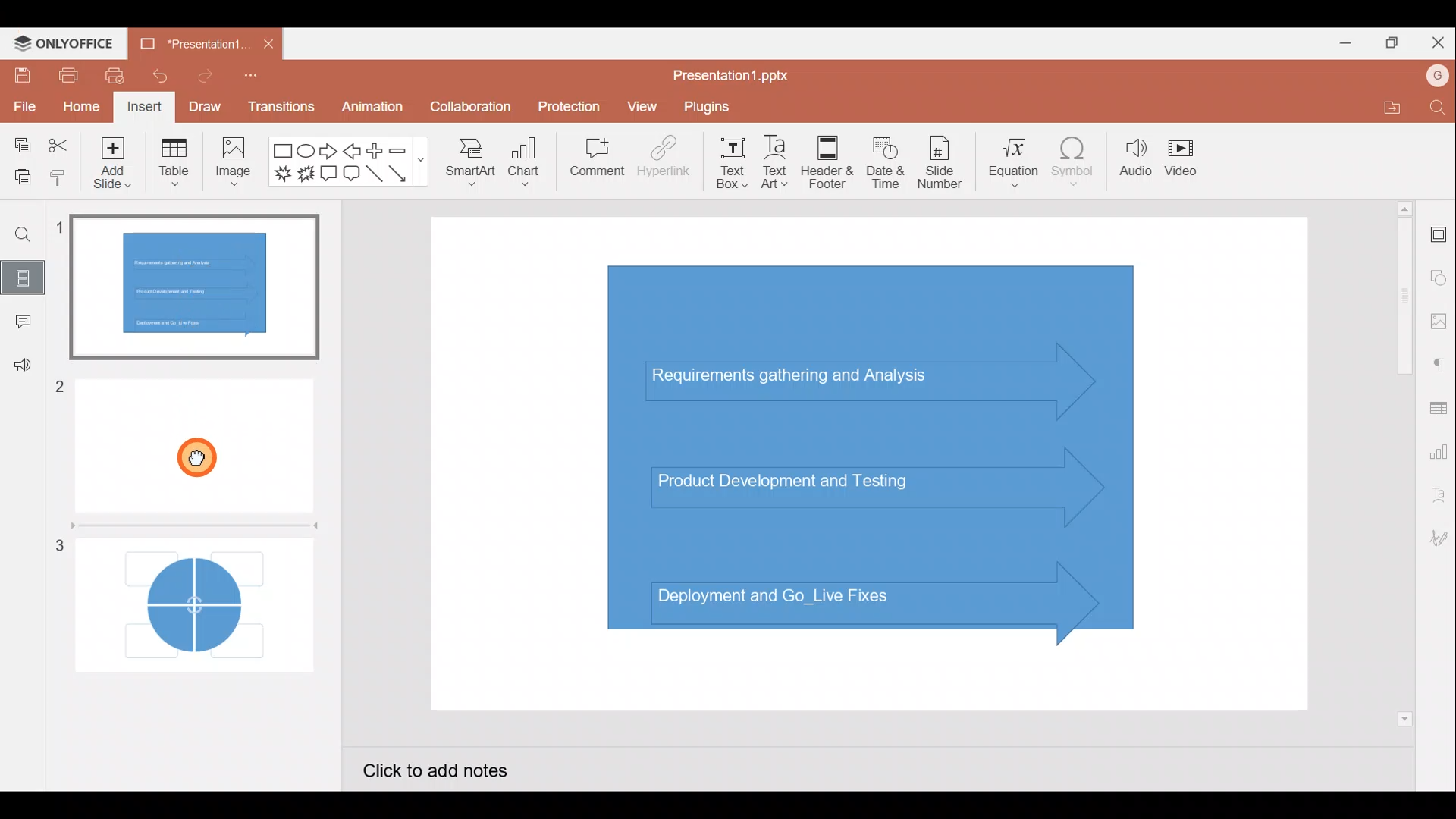 The height and width of the screenshot is (819, 1456). Describe the element at coordinates (109, 165) in the screenshot. I see `Add slide` at that location.